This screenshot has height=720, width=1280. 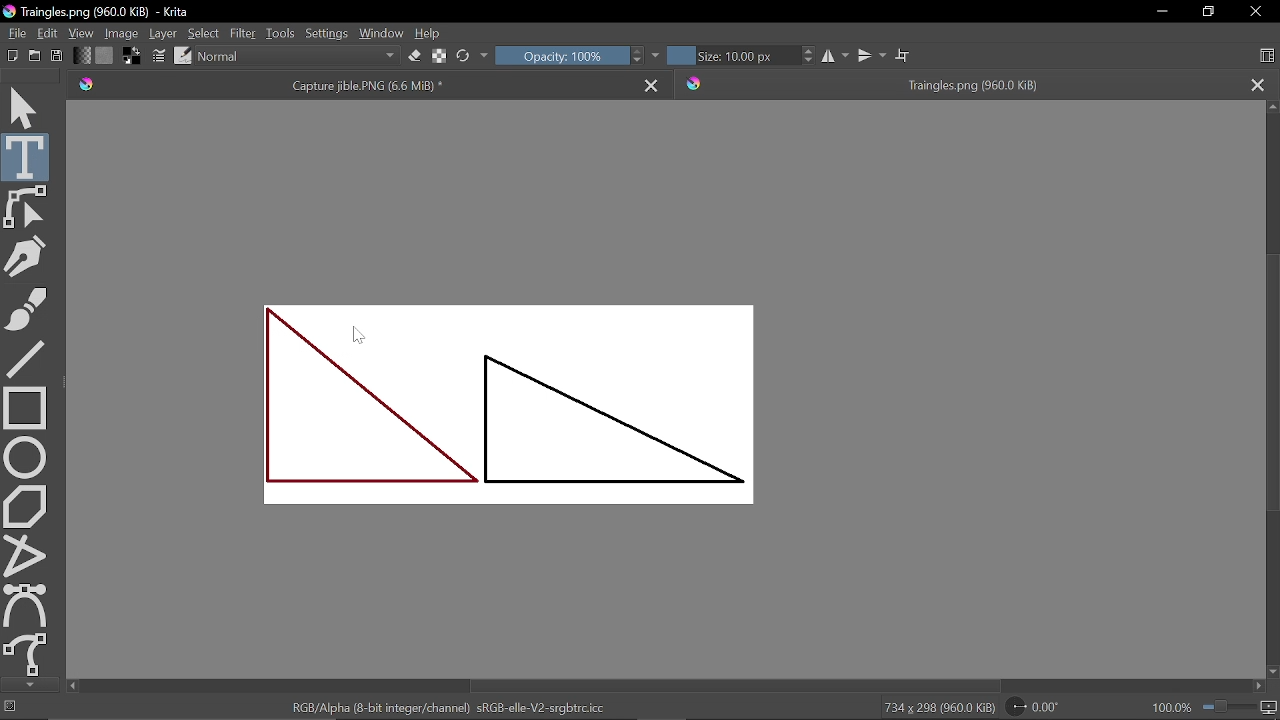 I want to click on Current tab, so click(x=349, y=84).